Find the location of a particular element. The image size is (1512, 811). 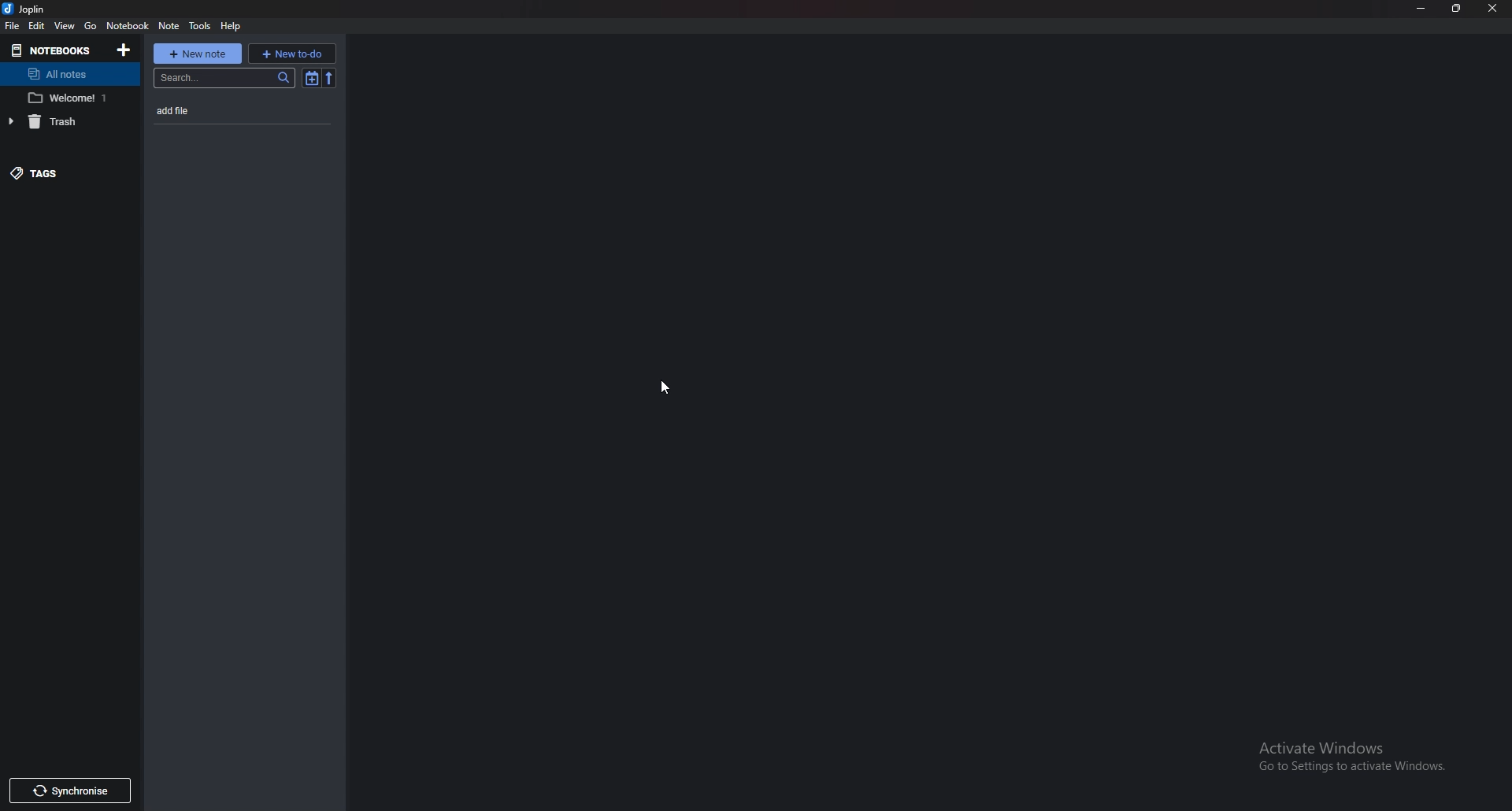

go is located at coordinates (92, 25).